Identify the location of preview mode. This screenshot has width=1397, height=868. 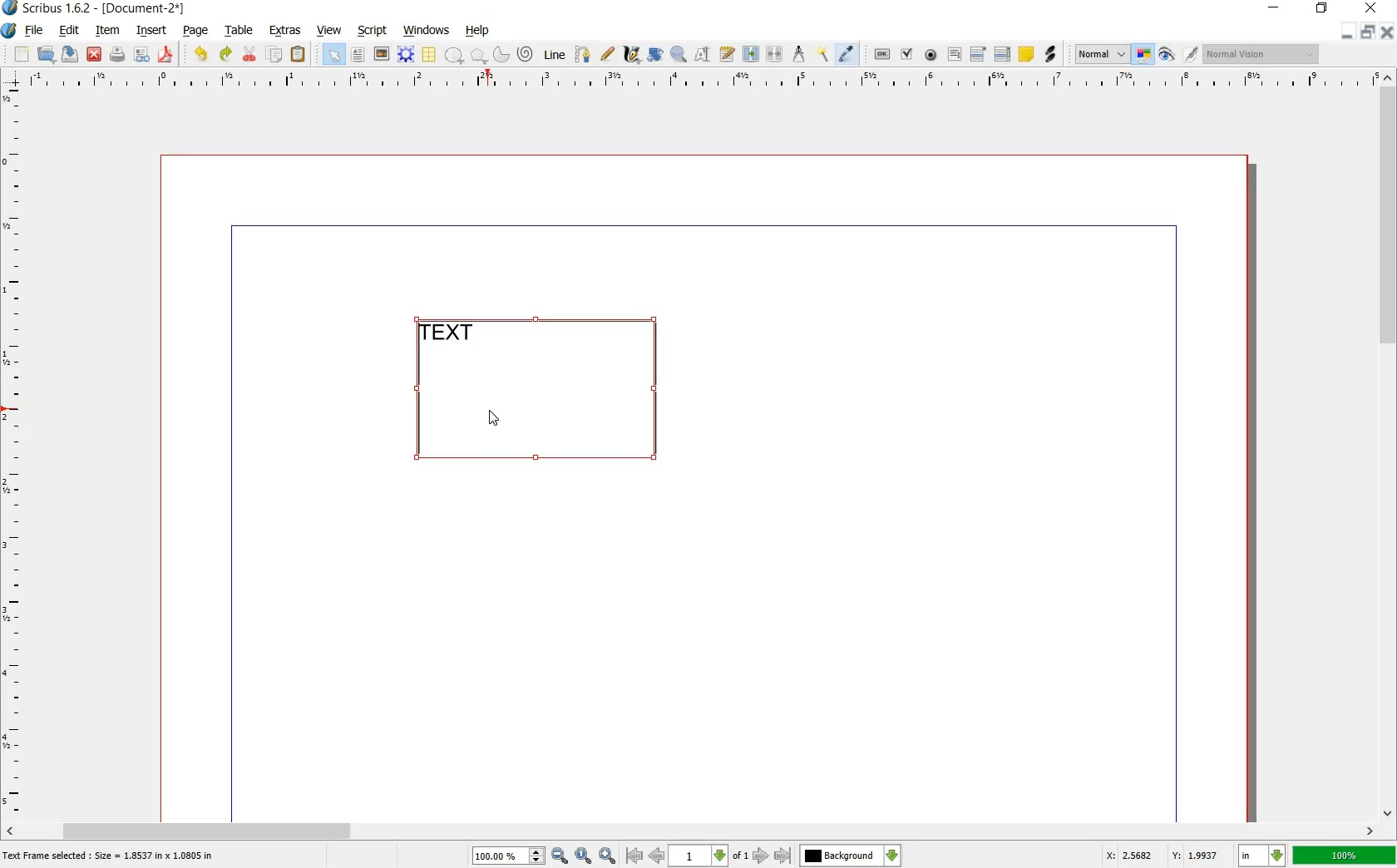
(1167, 54).